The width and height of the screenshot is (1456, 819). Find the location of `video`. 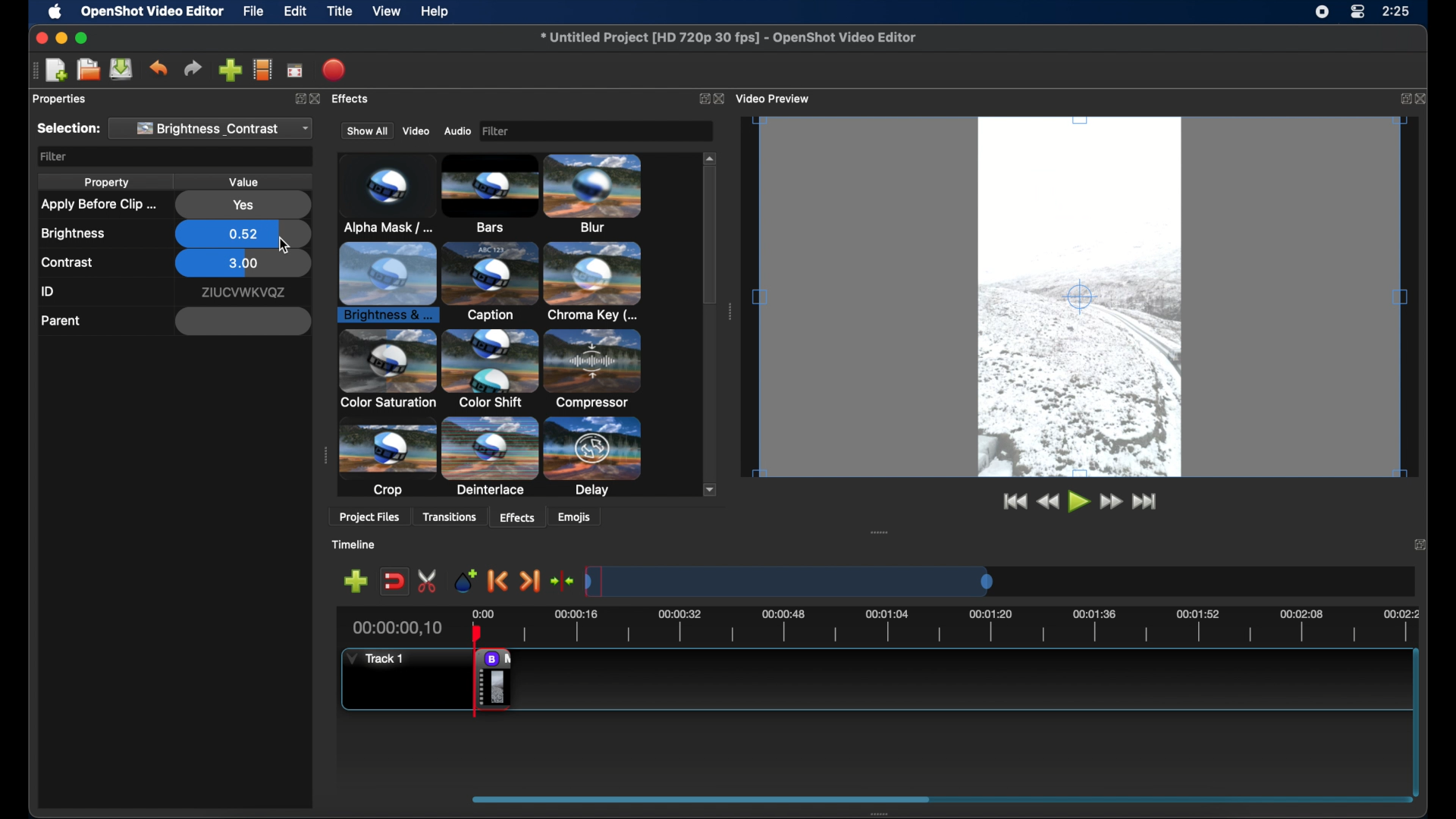

video is located at coordinates (416, 130).